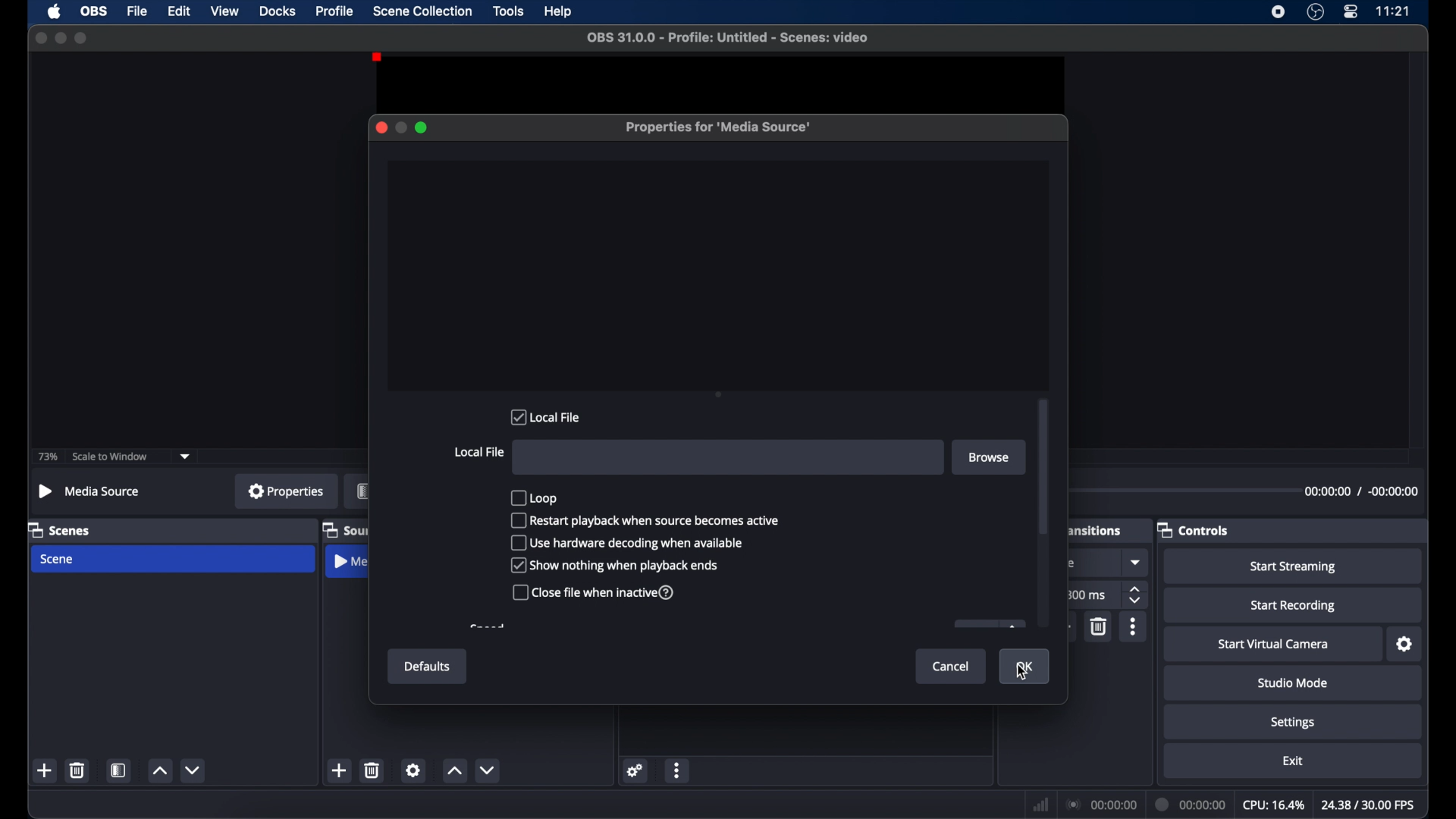 This screenshot has width=1456, height=819. Describe the element at coordinates (952, 667) in the screenshot. I see `cancel` at that location.